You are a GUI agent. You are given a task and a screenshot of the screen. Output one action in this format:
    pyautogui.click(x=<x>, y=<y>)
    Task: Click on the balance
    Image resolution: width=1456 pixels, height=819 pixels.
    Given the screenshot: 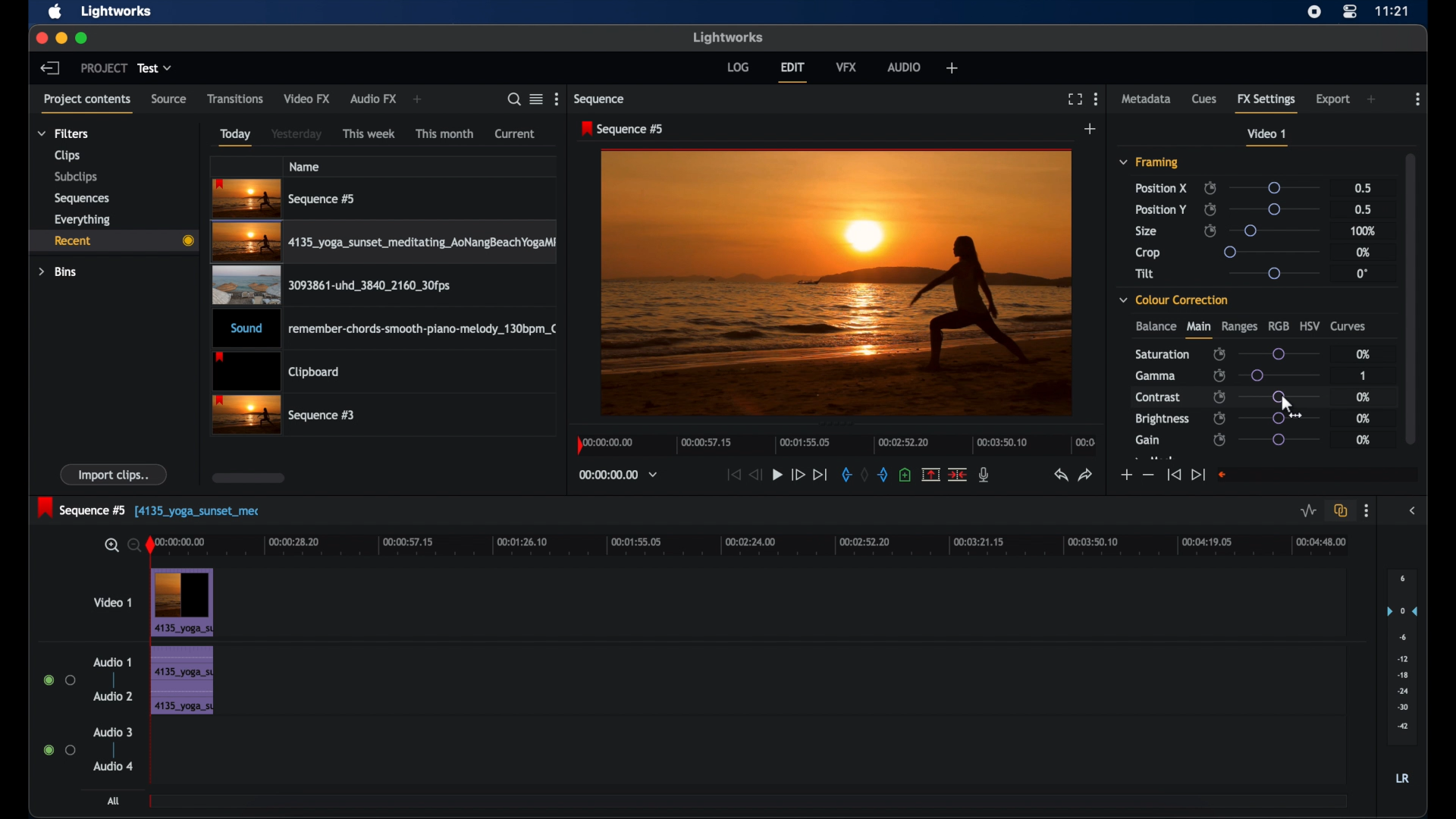 What is the action you would take?
    pyautogui.click(x=1155, y=326)
    